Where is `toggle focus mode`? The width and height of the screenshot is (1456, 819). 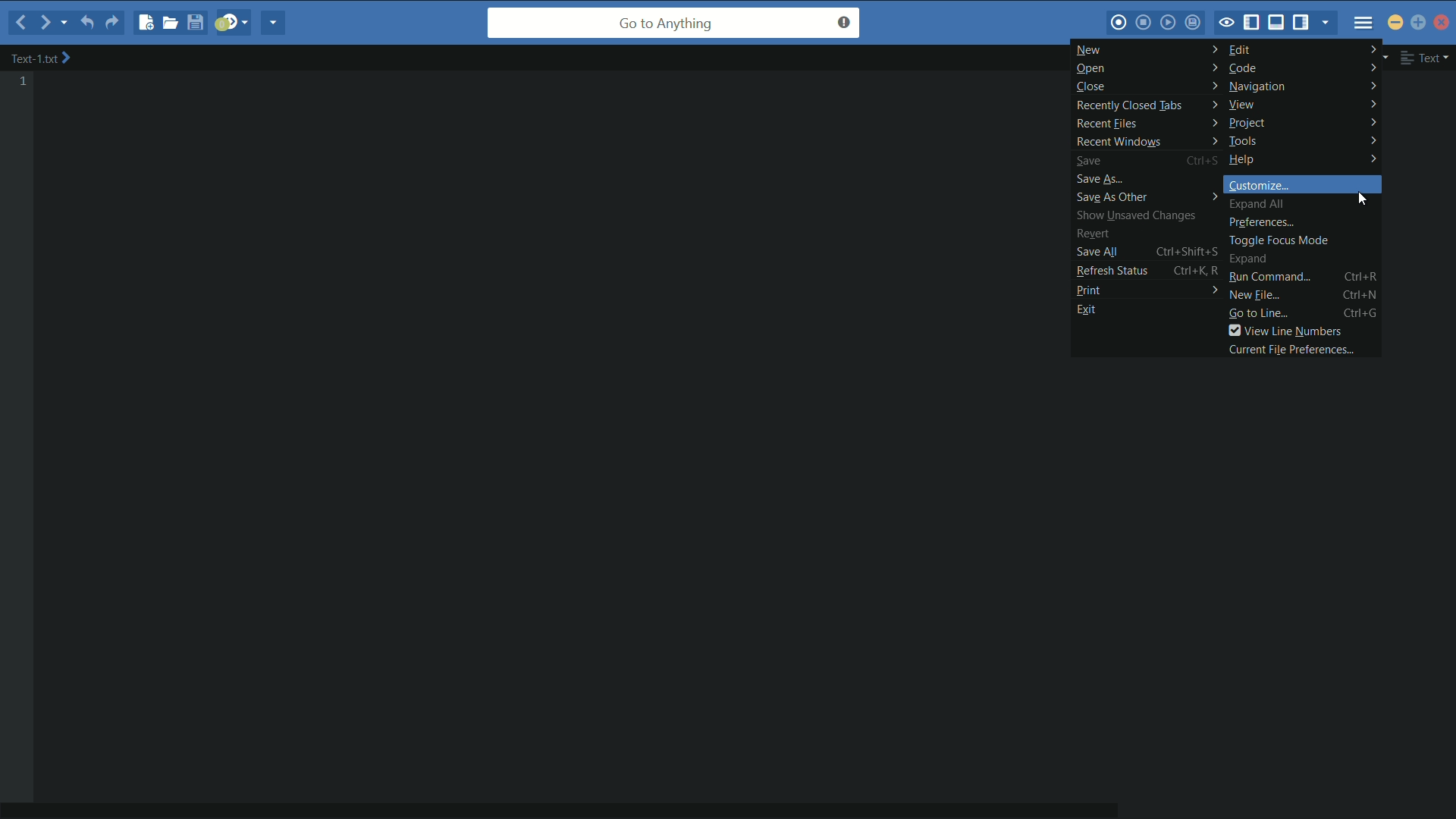 toggle focus mode is located at coordinates (1278, 240).